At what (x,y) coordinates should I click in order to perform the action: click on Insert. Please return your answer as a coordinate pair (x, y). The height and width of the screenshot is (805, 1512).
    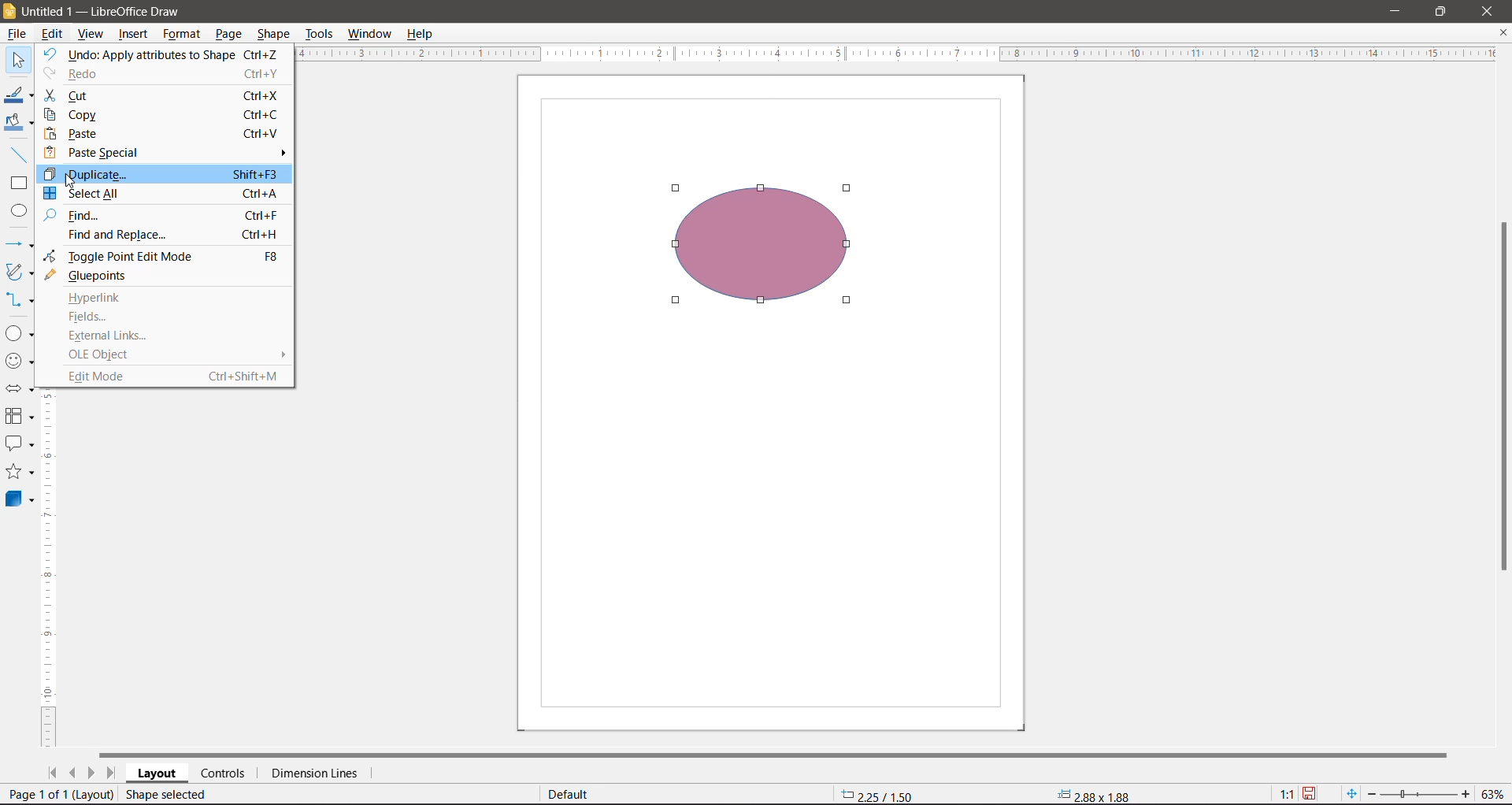
    Looking at the image, I should click on (133, 33).